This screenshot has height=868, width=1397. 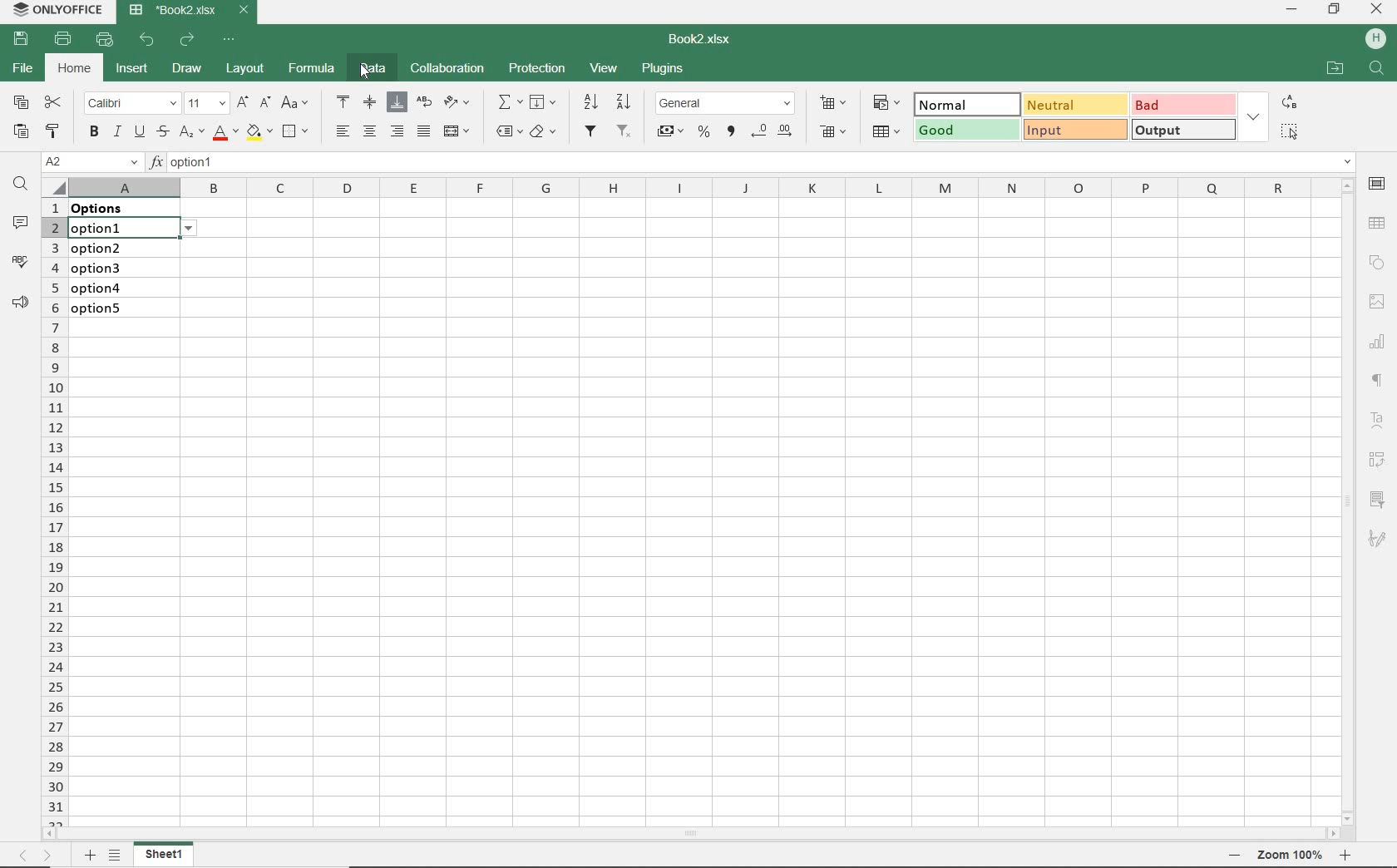 I want to click on TABLE, so click(x=1376, y=224).